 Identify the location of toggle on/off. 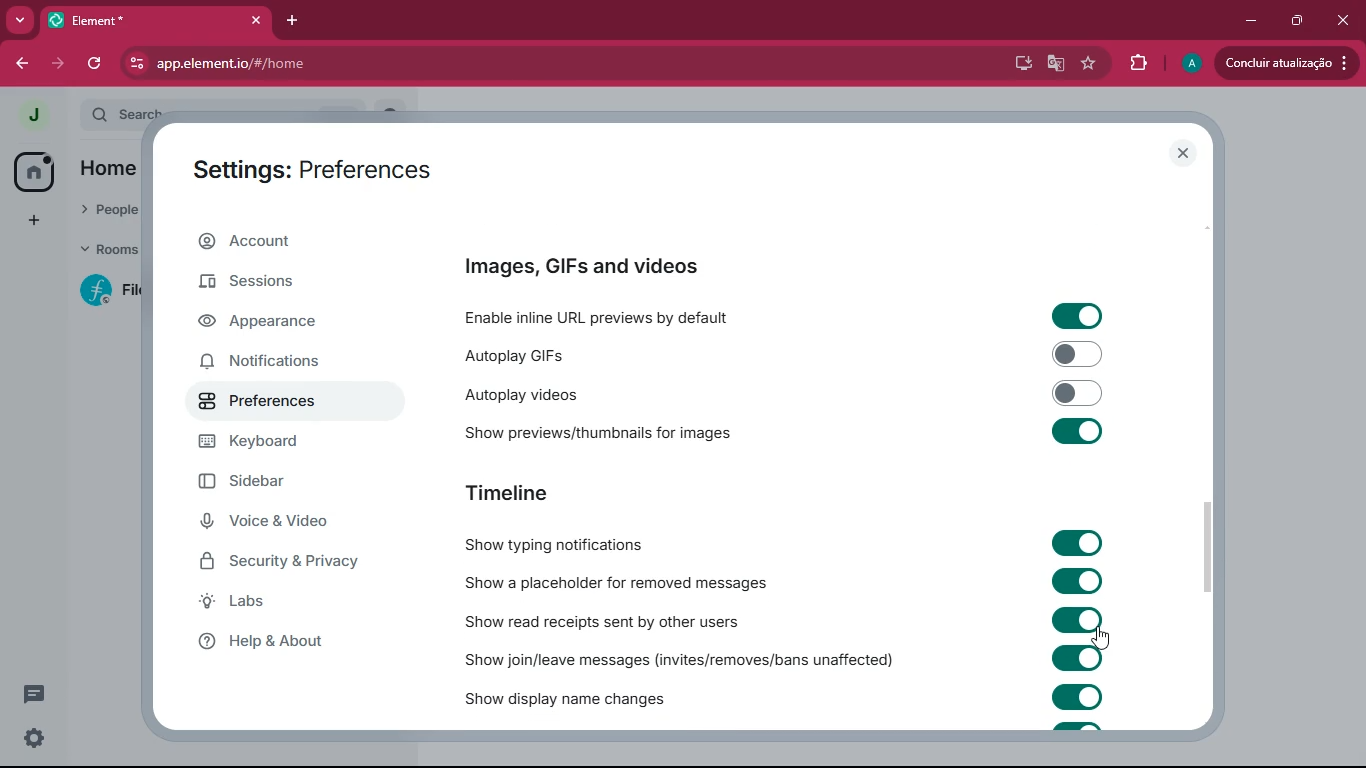
(1078, 393).